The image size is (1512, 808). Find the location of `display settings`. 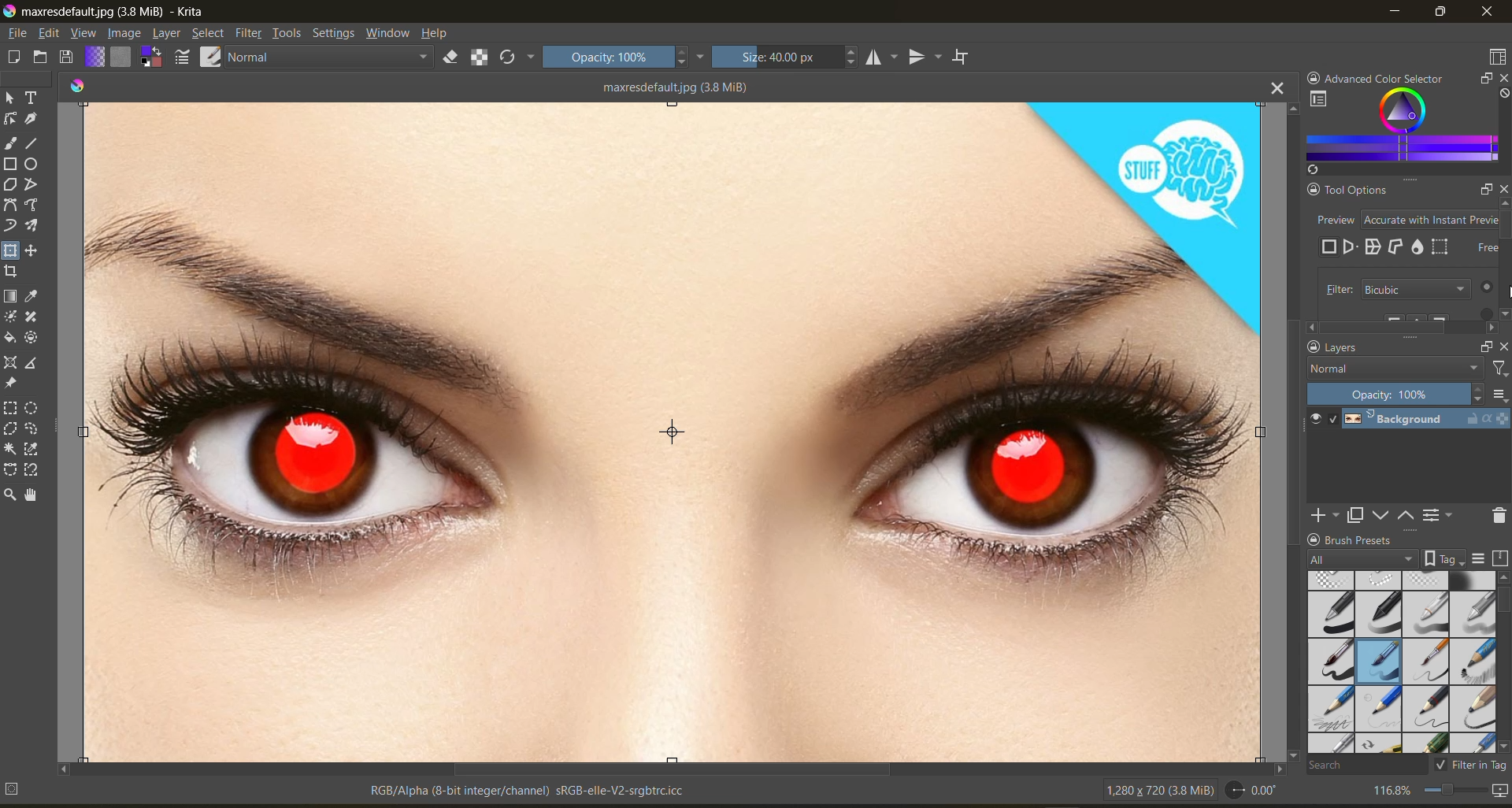

display settings is located at coordinates (1480, 557).